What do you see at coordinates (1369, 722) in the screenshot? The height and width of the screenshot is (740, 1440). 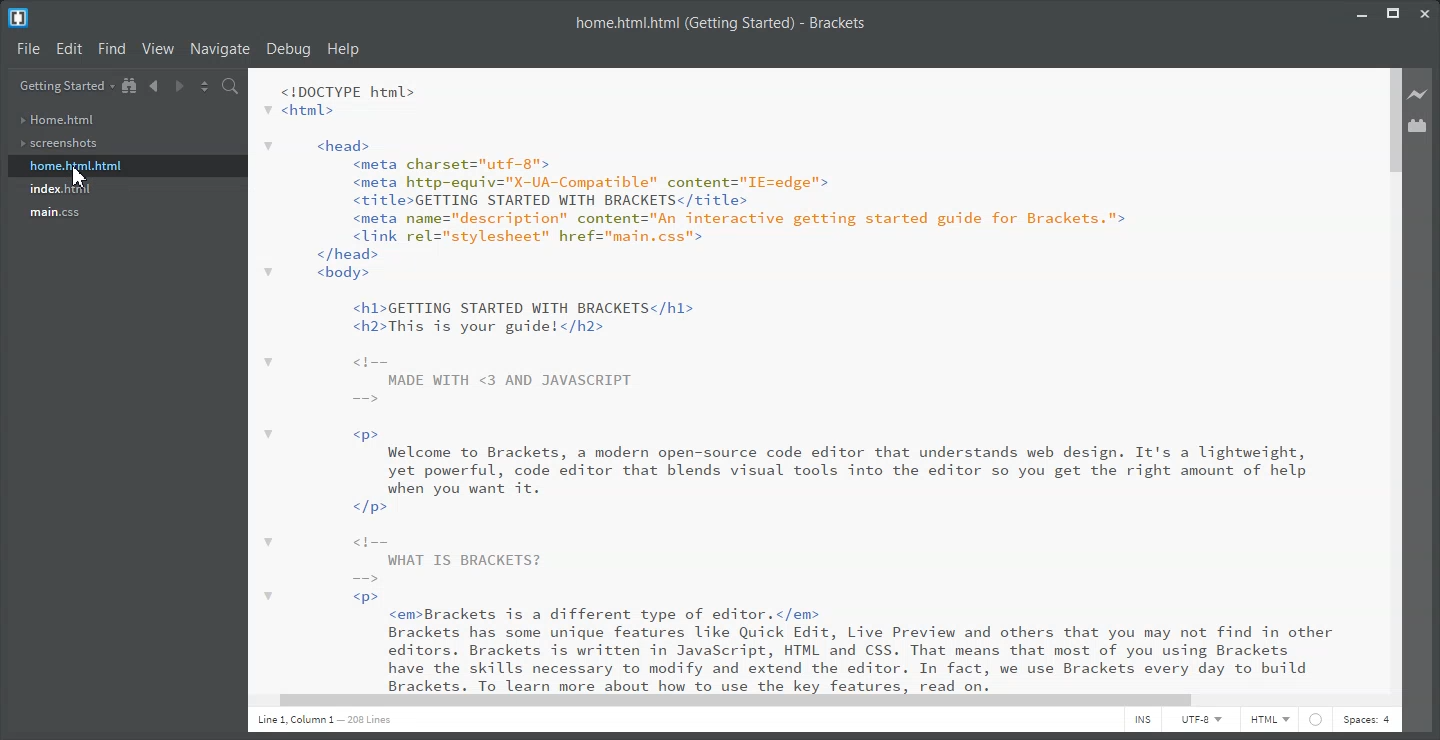 I see `Spaces: 4` at bounding box center [1369, 722].